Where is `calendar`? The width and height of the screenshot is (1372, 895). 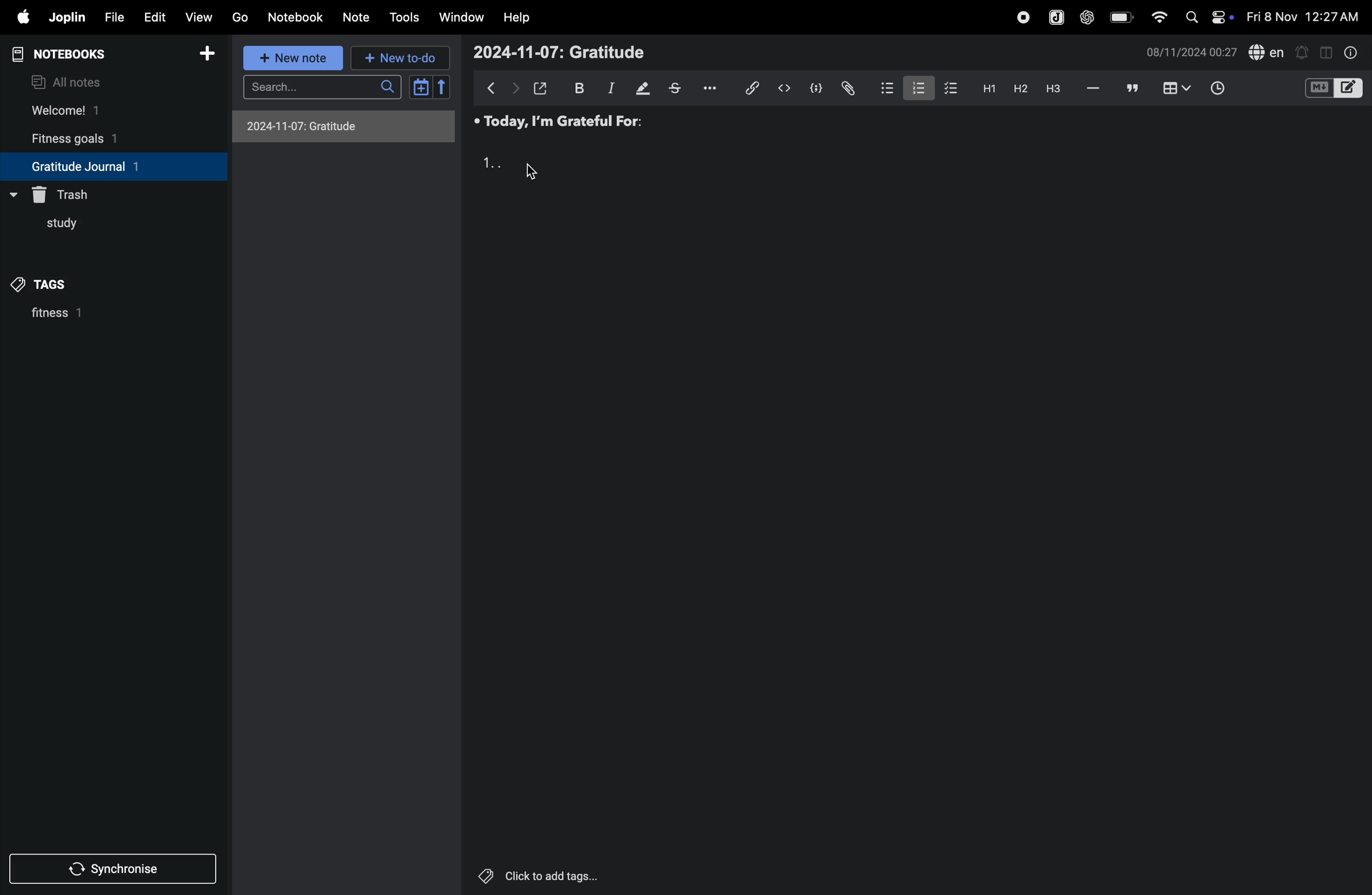
calendar is located at coordinates (429, 87).